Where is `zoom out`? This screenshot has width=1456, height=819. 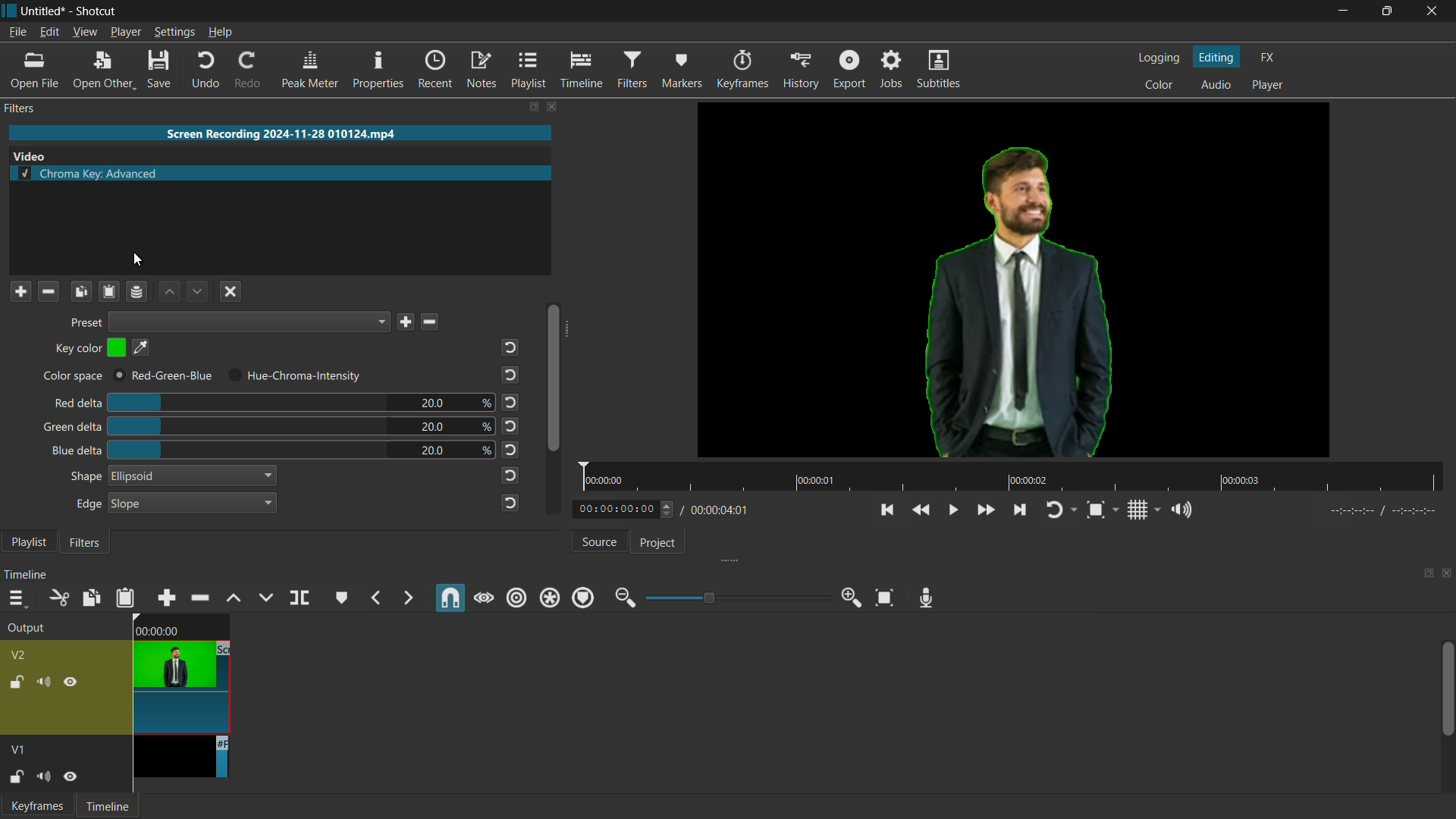 zoom out is located at coordinates (624, 598).